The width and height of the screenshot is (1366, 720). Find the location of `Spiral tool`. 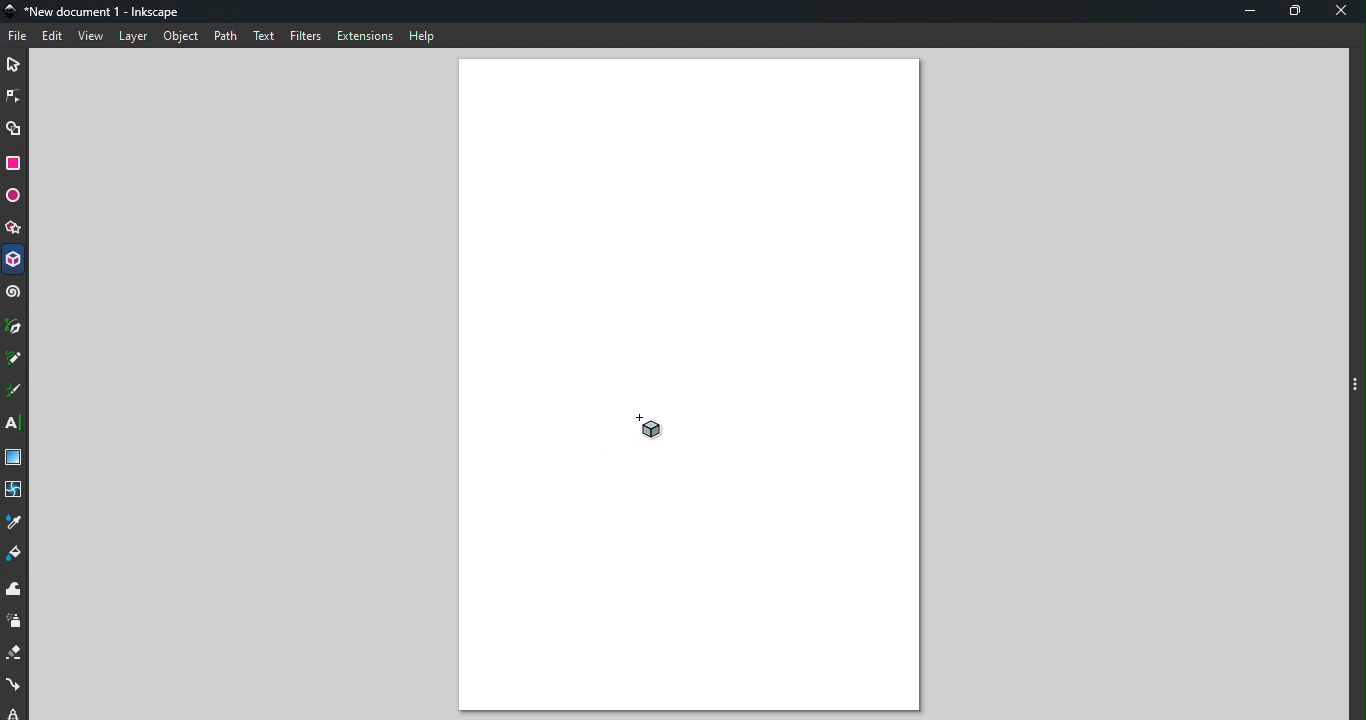

Spiral tool is located at coordinates (14, 296).